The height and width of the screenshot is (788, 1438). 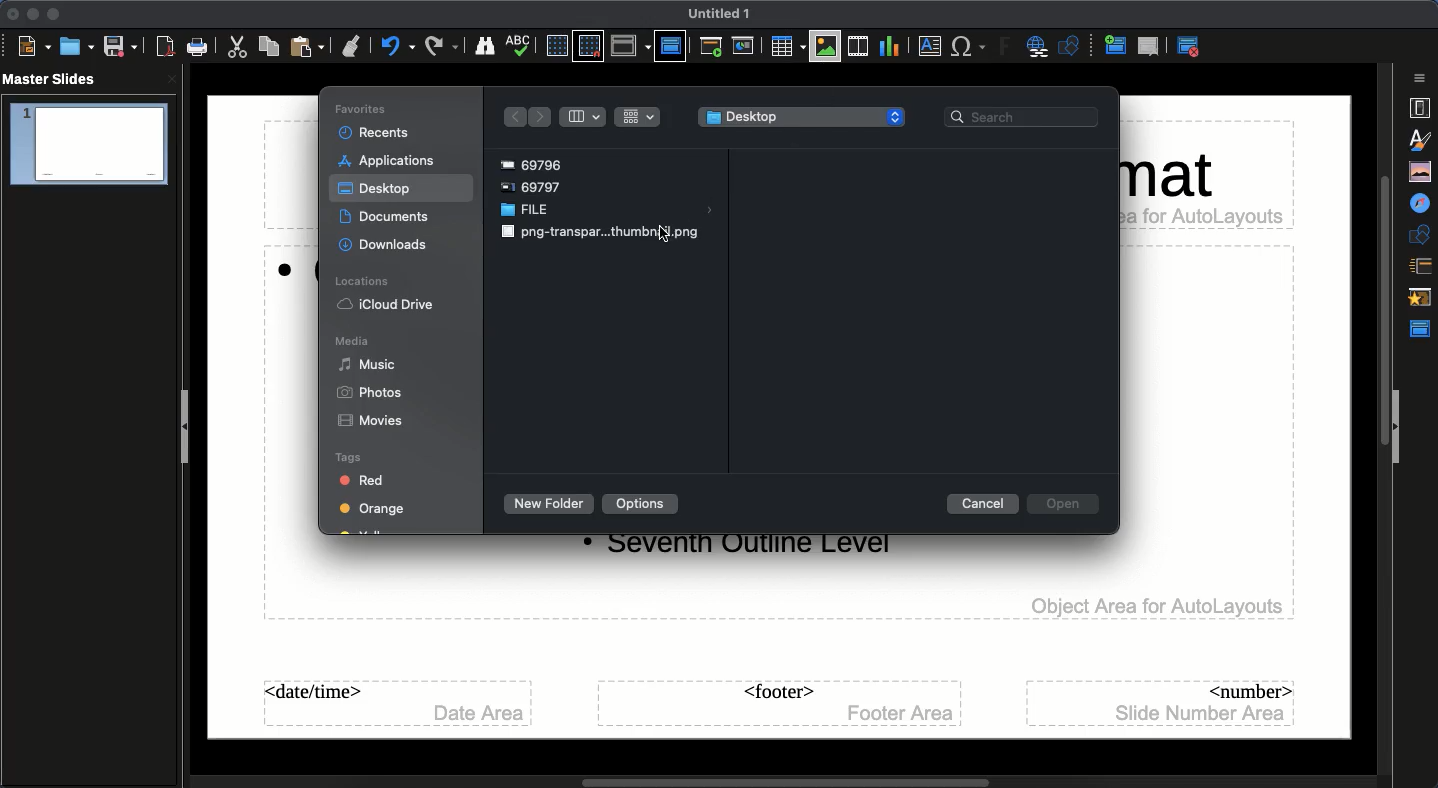 I want to click on Slide transition, so click(x=1419, y=267).